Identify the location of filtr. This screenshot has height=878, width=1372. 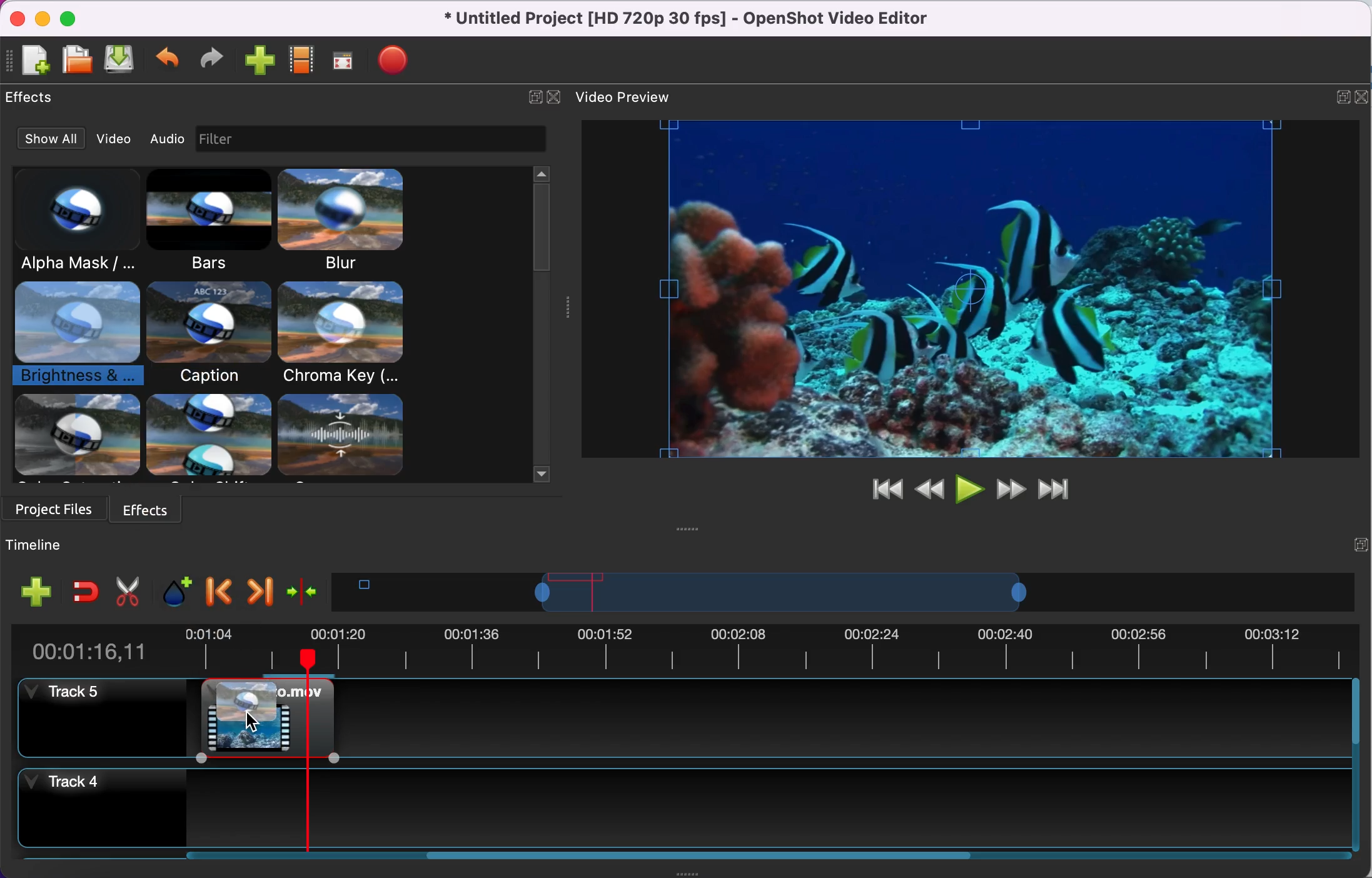
(393, 139).